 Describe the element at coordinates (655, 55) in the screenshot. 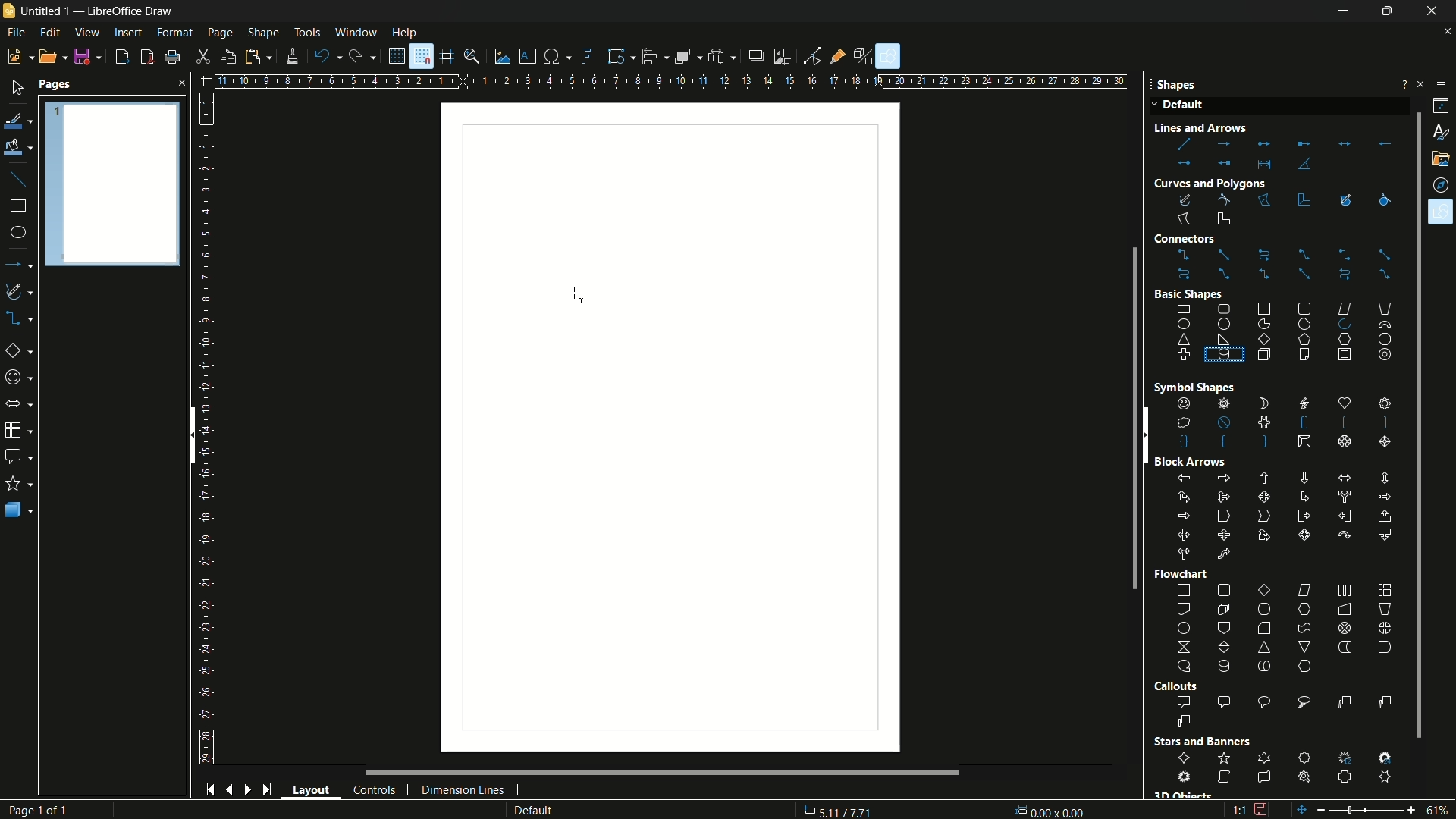

I see `align objects` at that location.